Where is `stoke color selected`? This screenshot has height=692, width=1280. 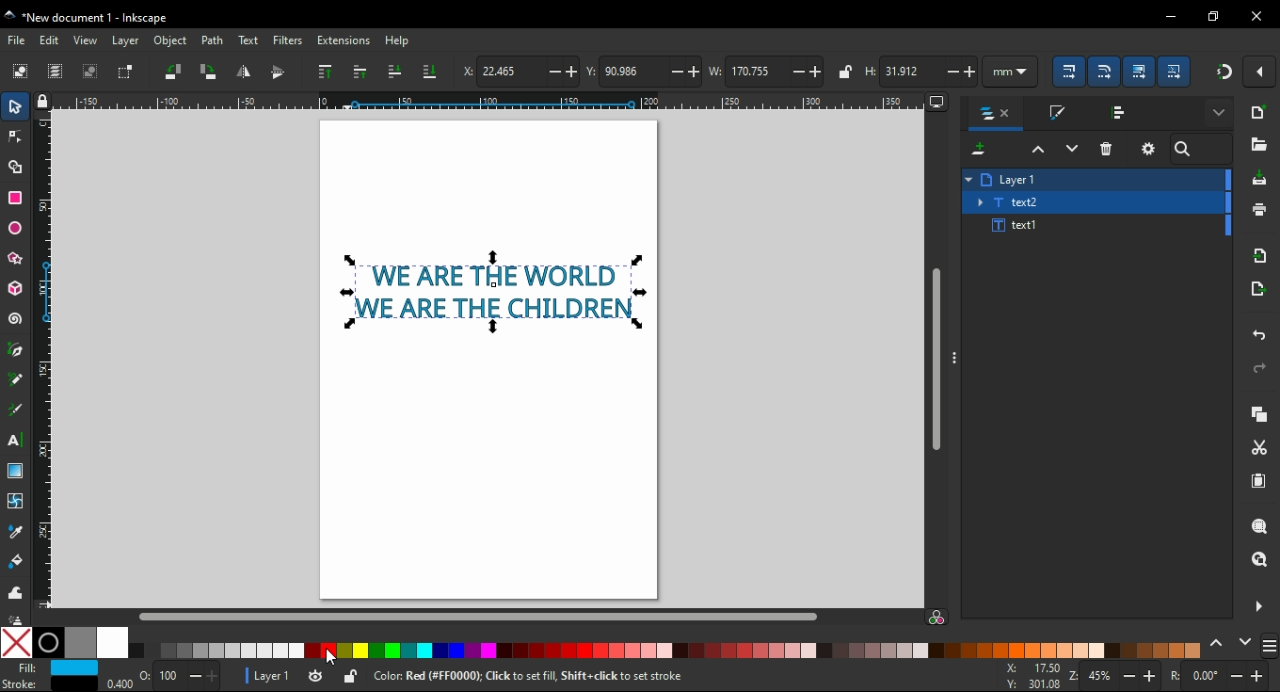 stoke color selected is located at coordinates (48, 685).